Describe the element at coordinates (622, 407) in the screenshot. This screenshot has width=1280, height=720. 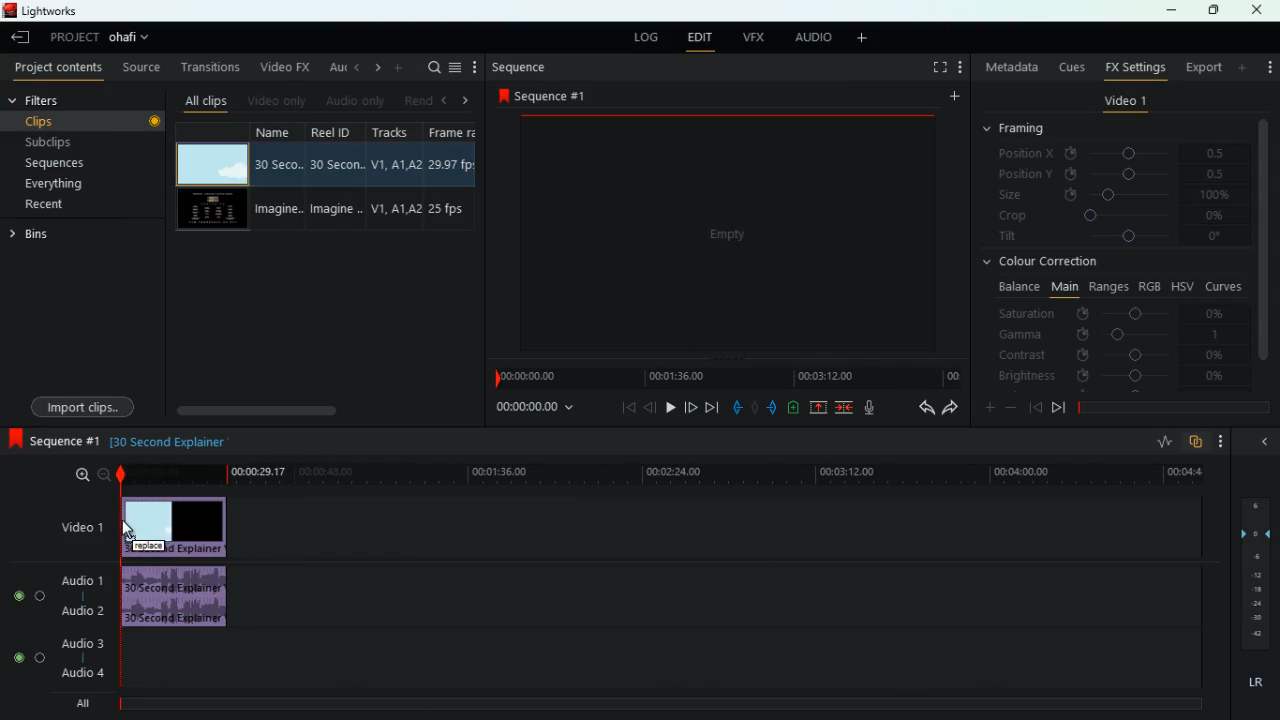
I see `beggining` at that location.